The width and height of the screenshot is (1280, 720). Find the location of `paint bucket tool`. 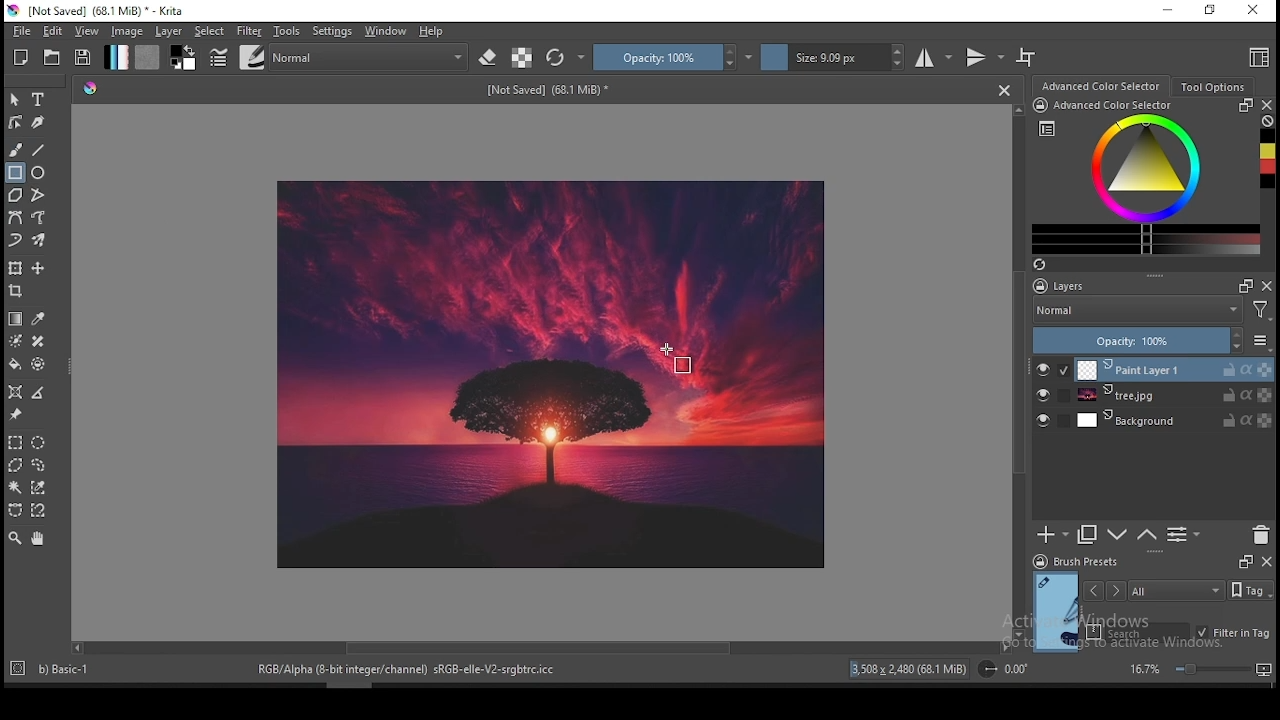

paint bucket tool is located at coordinates (17, 365).